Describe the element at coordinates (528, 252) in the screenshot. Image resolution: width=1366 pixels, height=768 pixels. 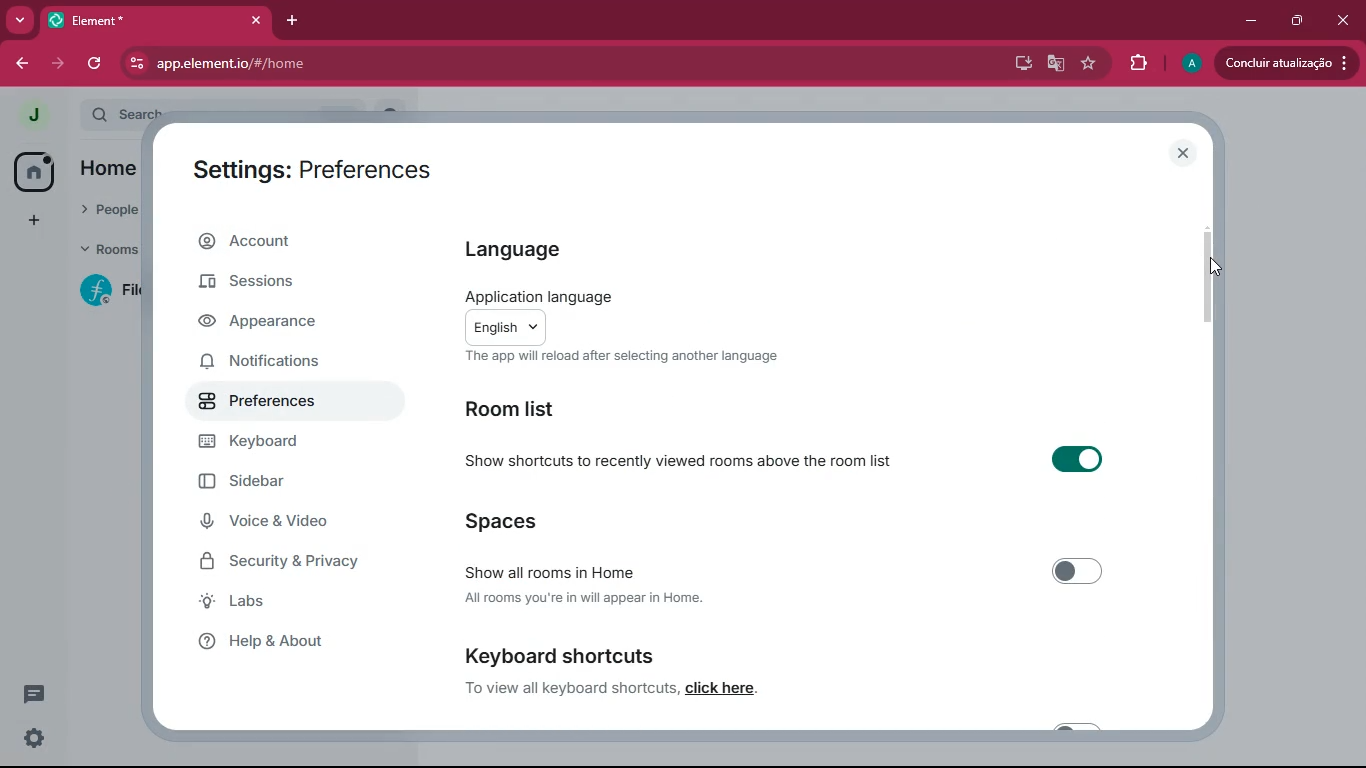
I see `language` at that location.